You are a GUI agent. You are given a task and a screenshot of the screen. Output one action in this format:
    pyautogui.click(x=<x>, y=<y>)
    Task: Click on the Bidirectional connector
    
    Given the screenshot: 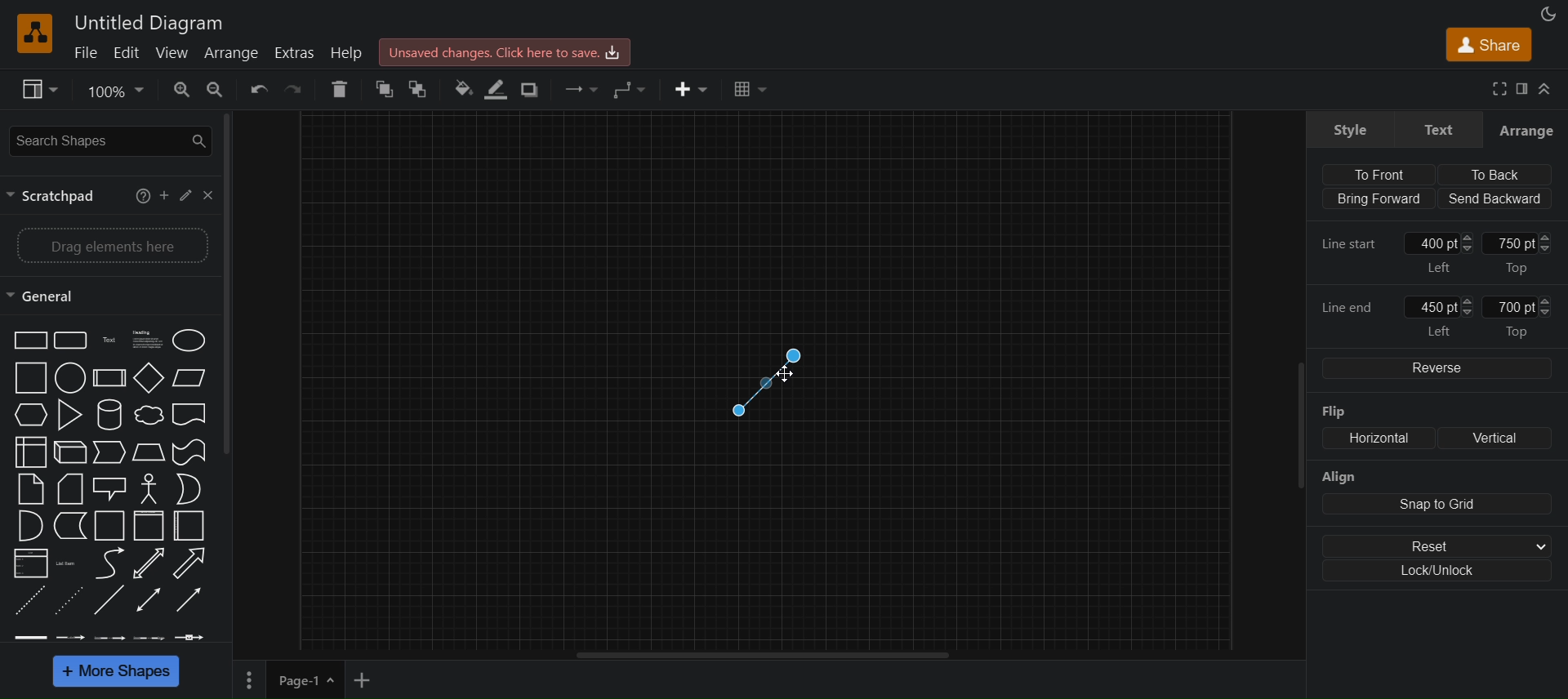 What is the action you would take?
    pyautogui.click(x=150, y=599)
    